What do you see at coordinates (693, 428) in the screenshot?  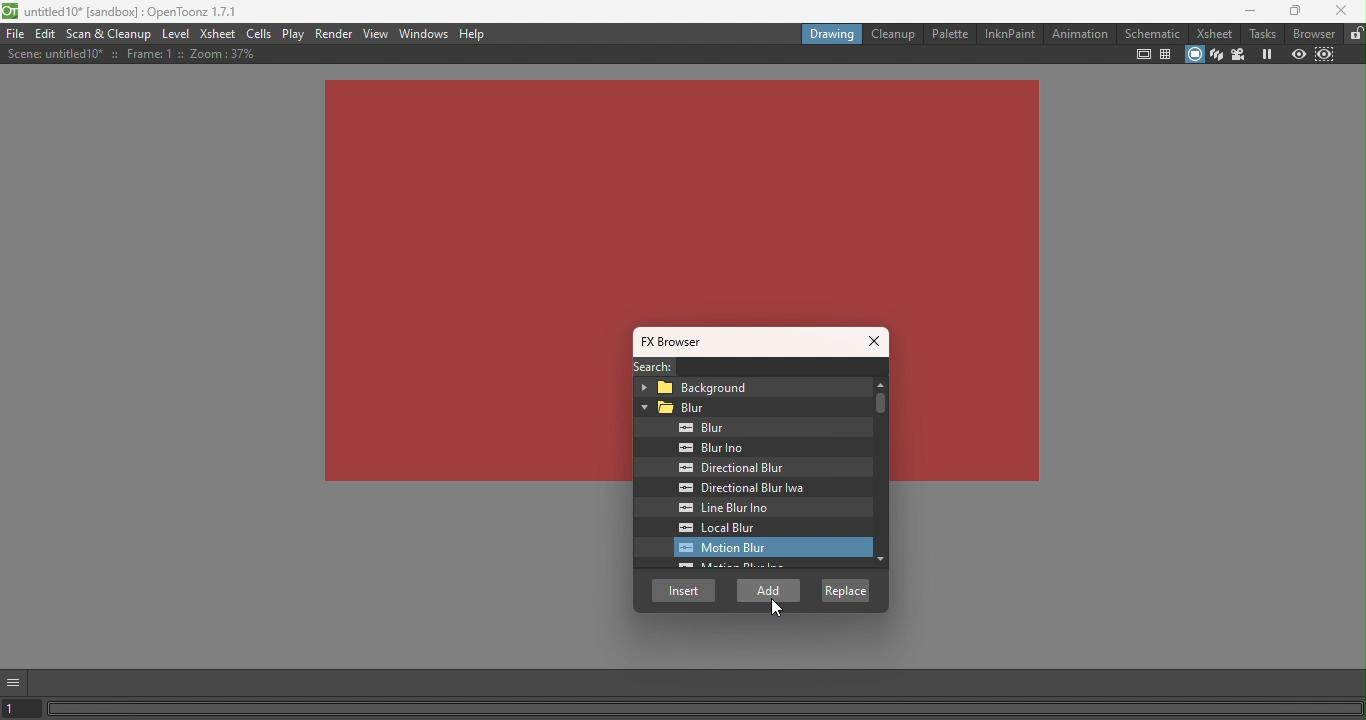 I see `Blur` at bounding box center [693, 428].